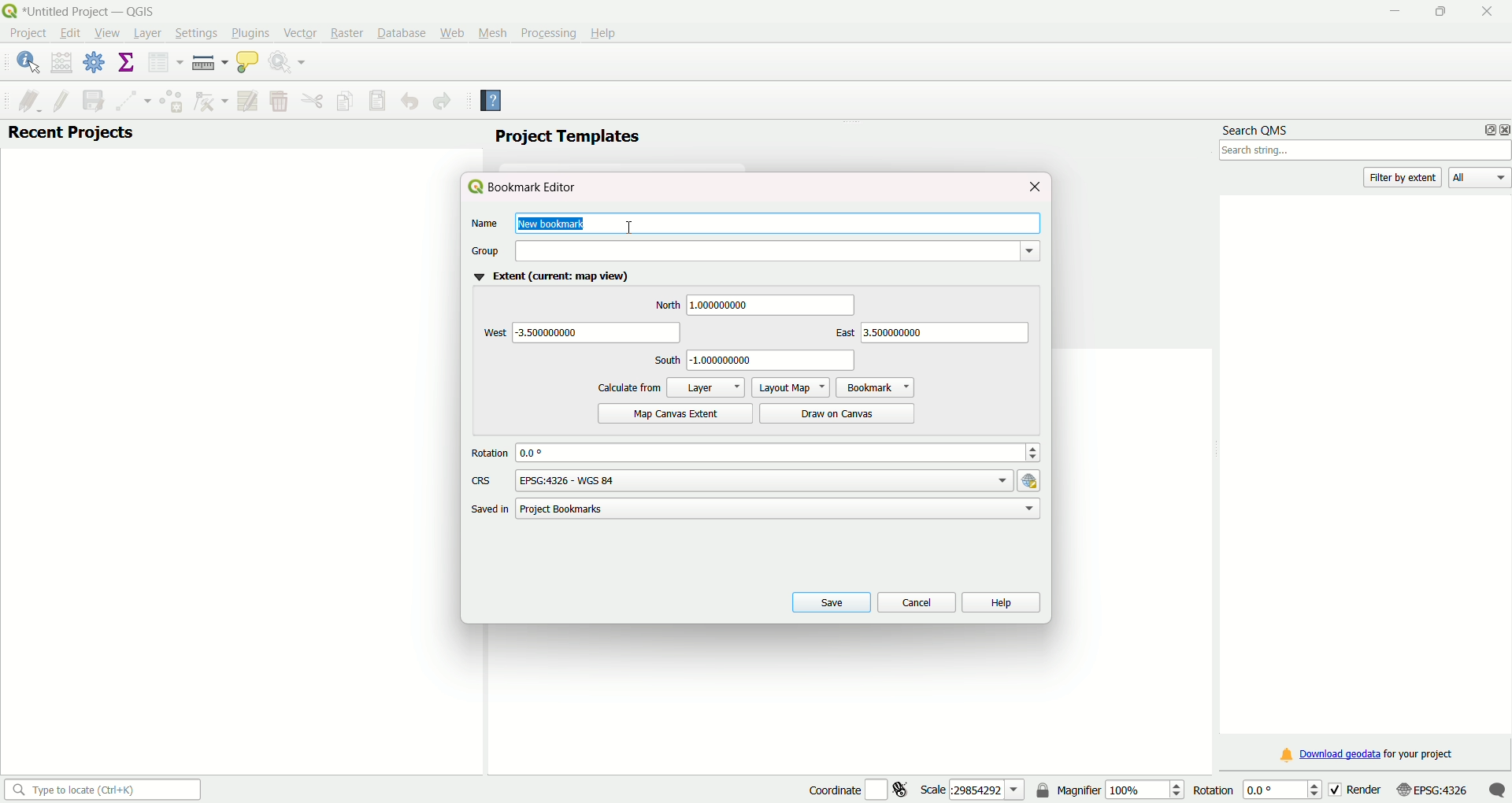 The width and height of the screenshot is (1512, 803). Describe the element at coordinates (100, 789) in the screenshot. I see `search bar` at that location.